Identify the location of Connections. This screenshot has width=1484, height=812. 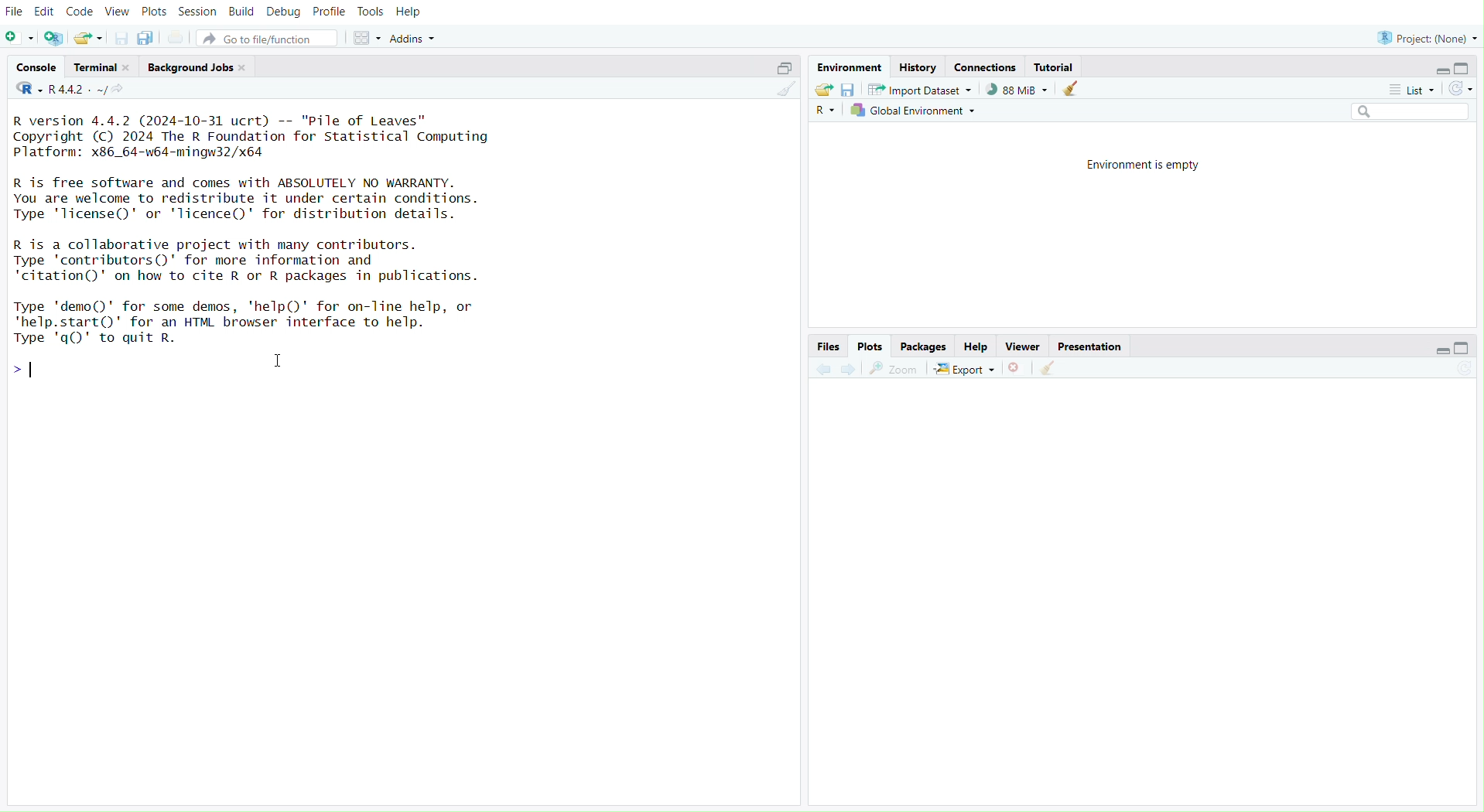
(986, 67).